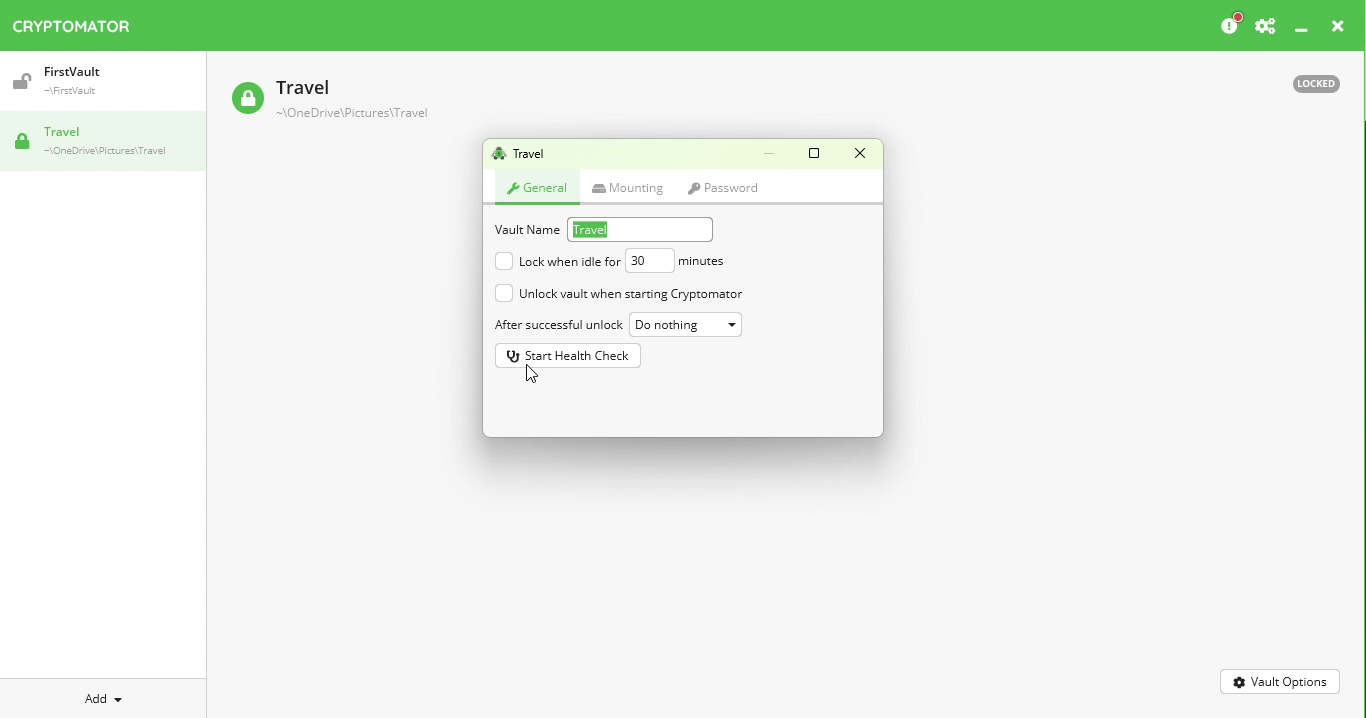  What do you see at coordinates (502, 261) in the screenshot?
I see `unchecked checkbox` at bounding box center [502, 261].